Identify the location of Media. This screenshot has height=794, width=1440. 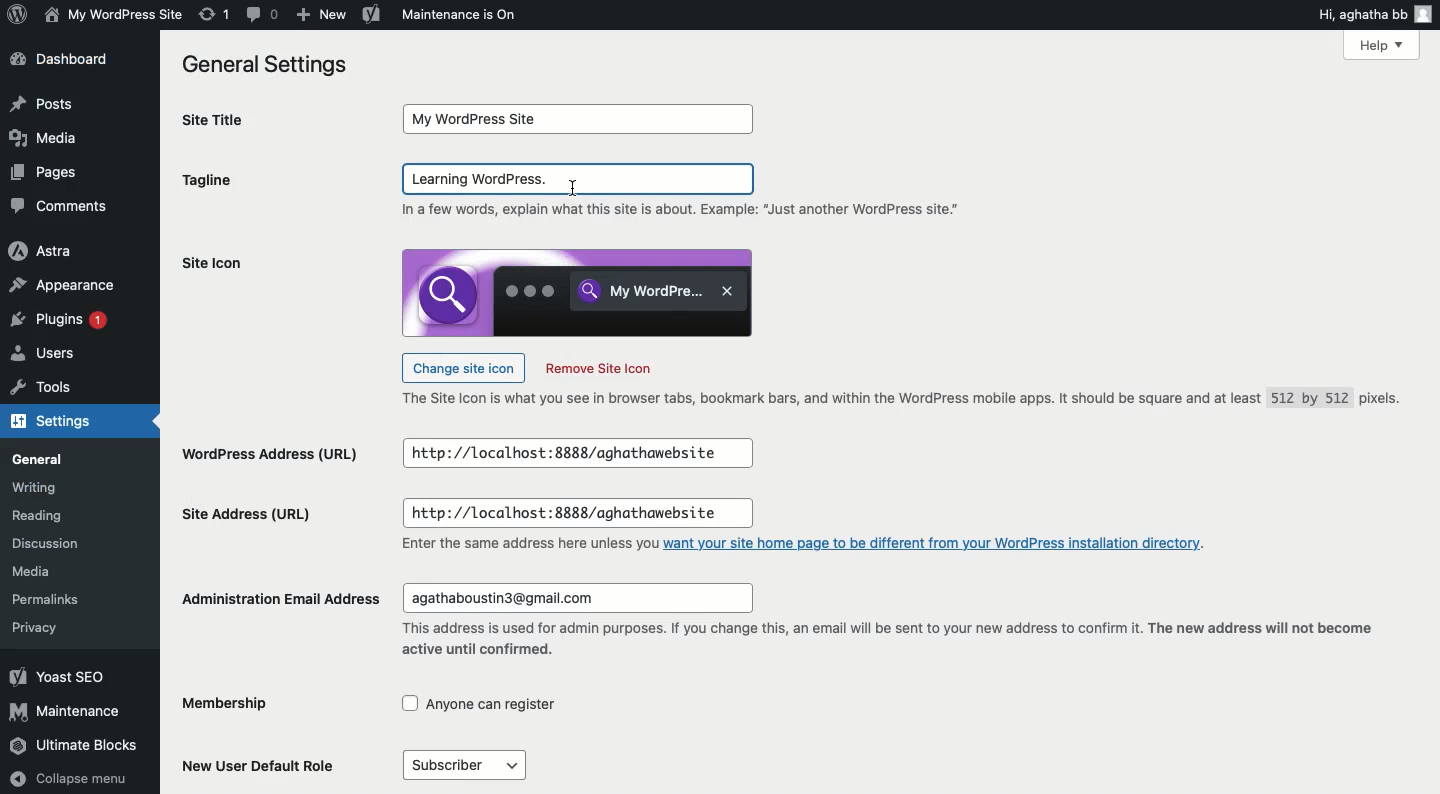
(43, 137).